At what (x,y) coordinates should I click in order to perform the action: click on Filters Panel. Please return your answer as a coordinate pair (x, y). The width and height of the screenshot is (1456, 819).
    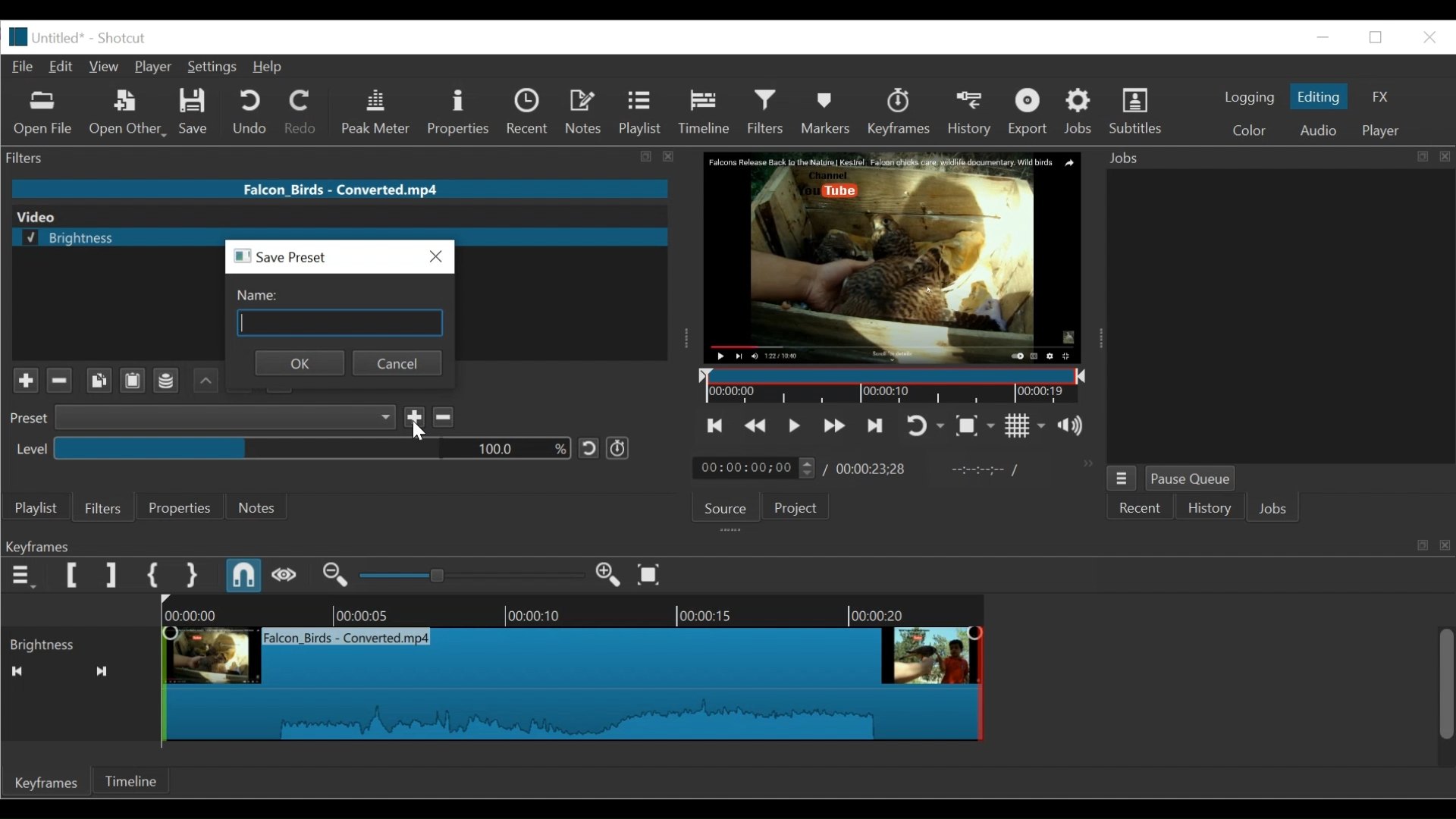
    Looking at the image, I should click on (344, 158).